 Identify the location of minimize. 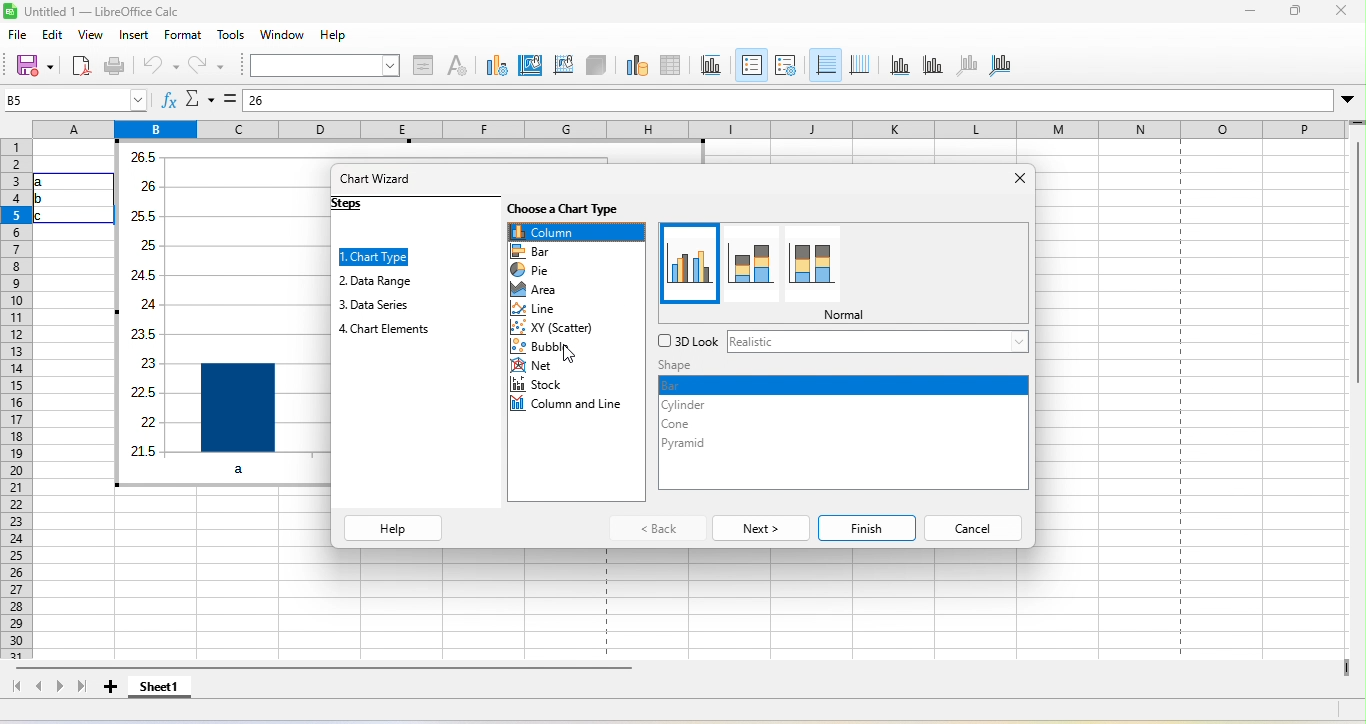
(1244, 13).